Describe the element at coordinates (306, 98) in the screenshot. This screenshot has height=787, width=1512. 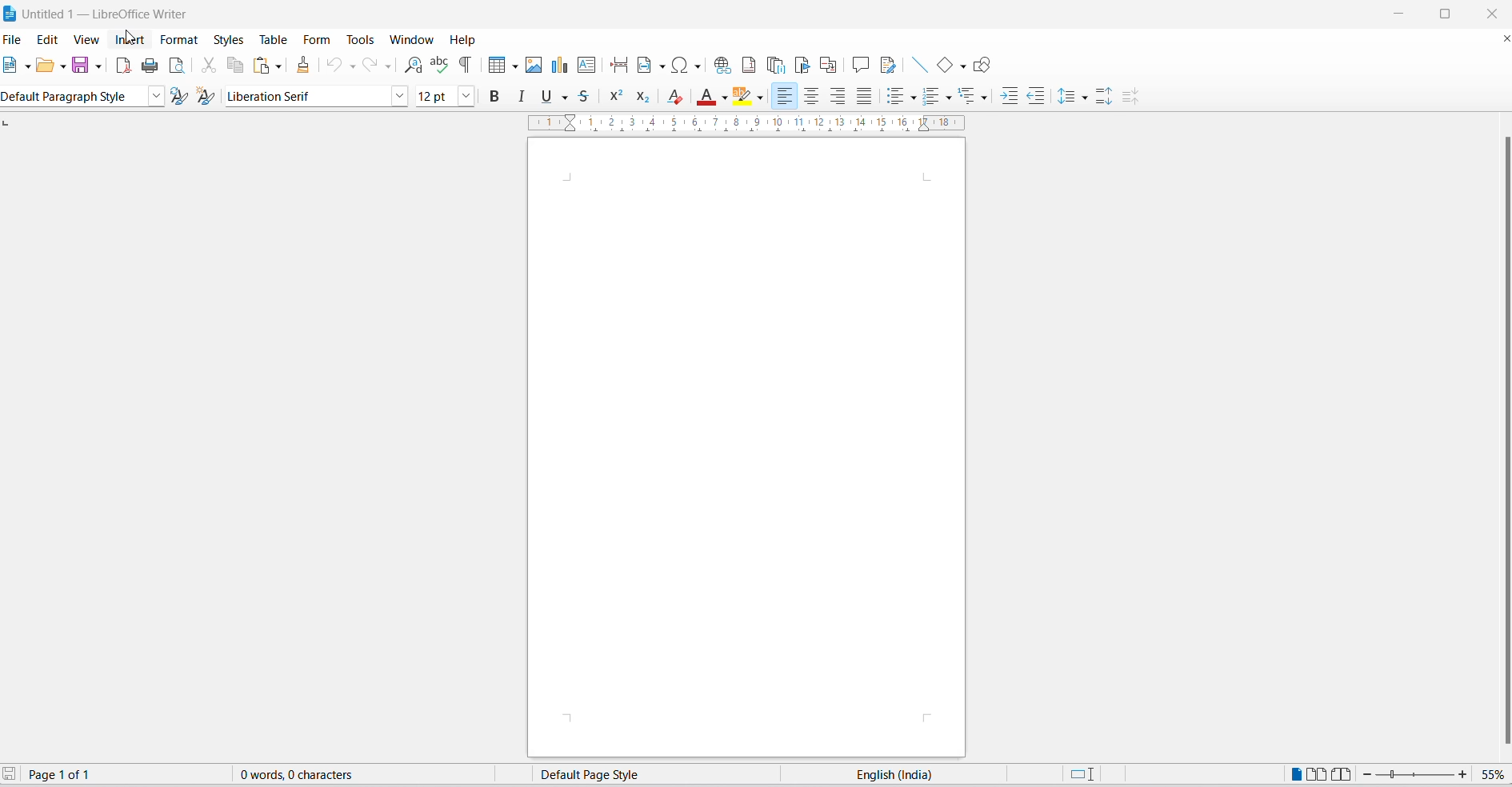
I see `font name` at that location.